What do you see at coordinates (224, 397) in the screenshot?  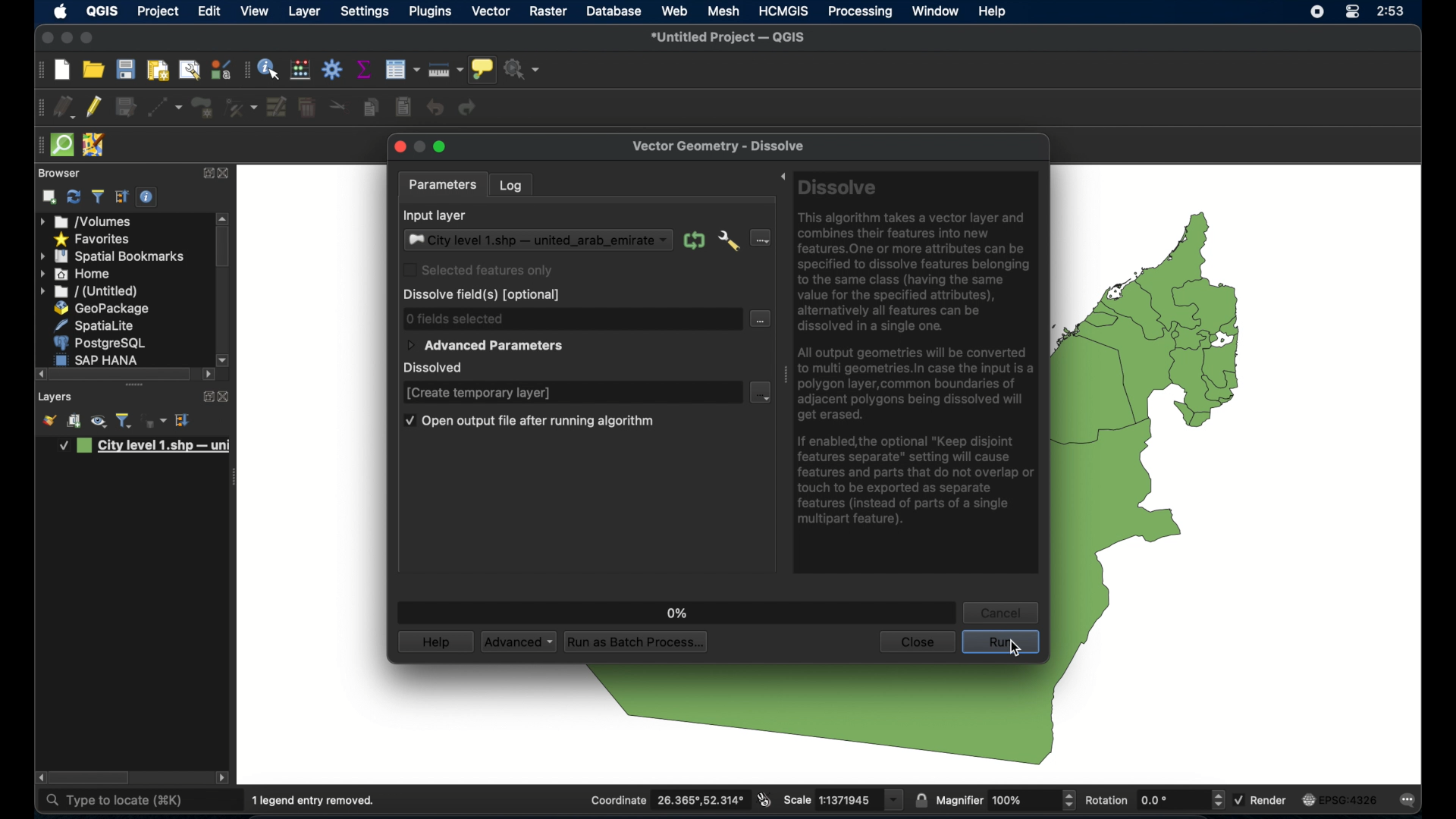 I see `close` at bounding box center [224, 397].